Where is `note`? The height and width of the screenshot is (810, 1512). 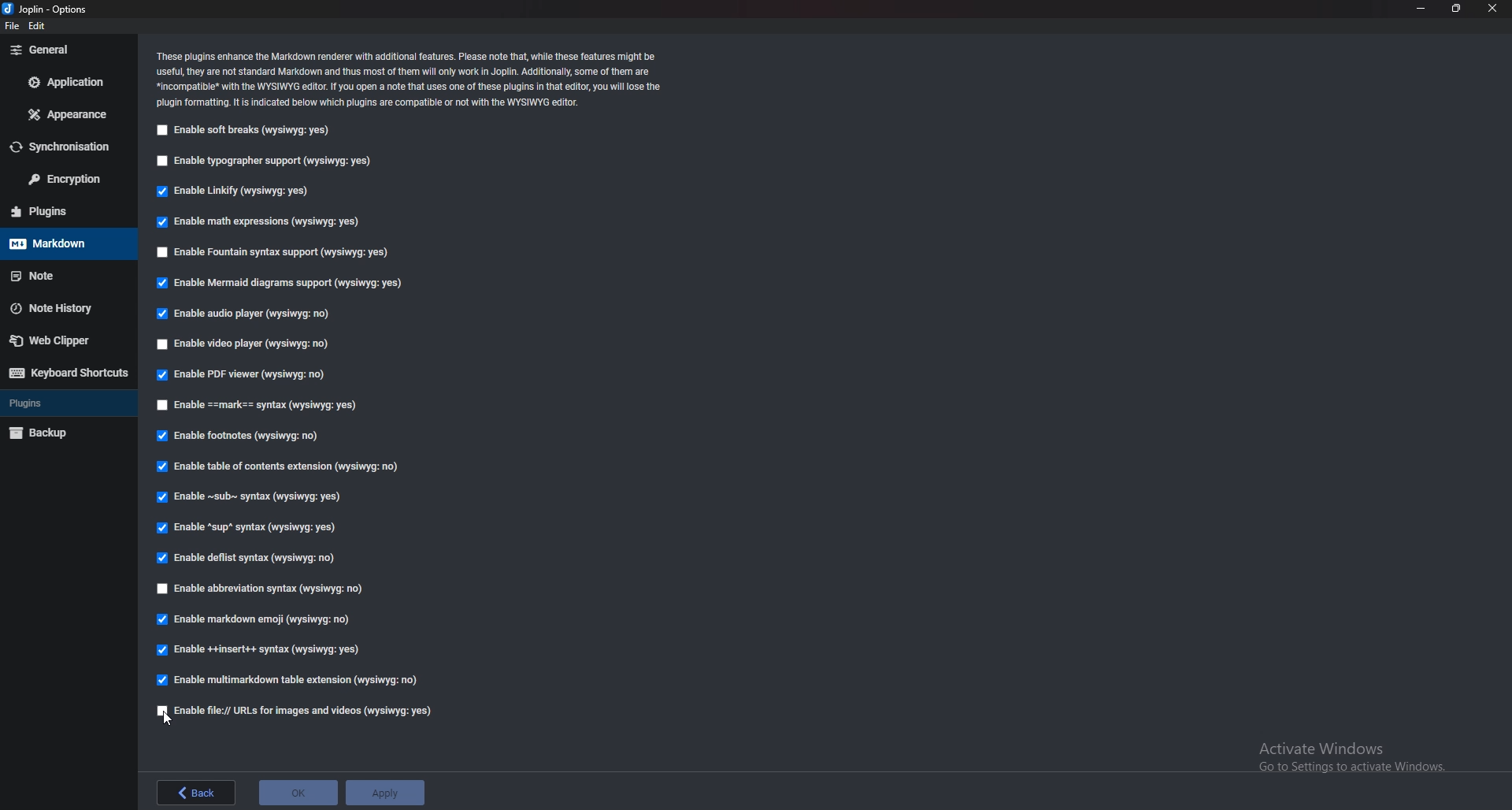
note is located at coordinates (58, 276).